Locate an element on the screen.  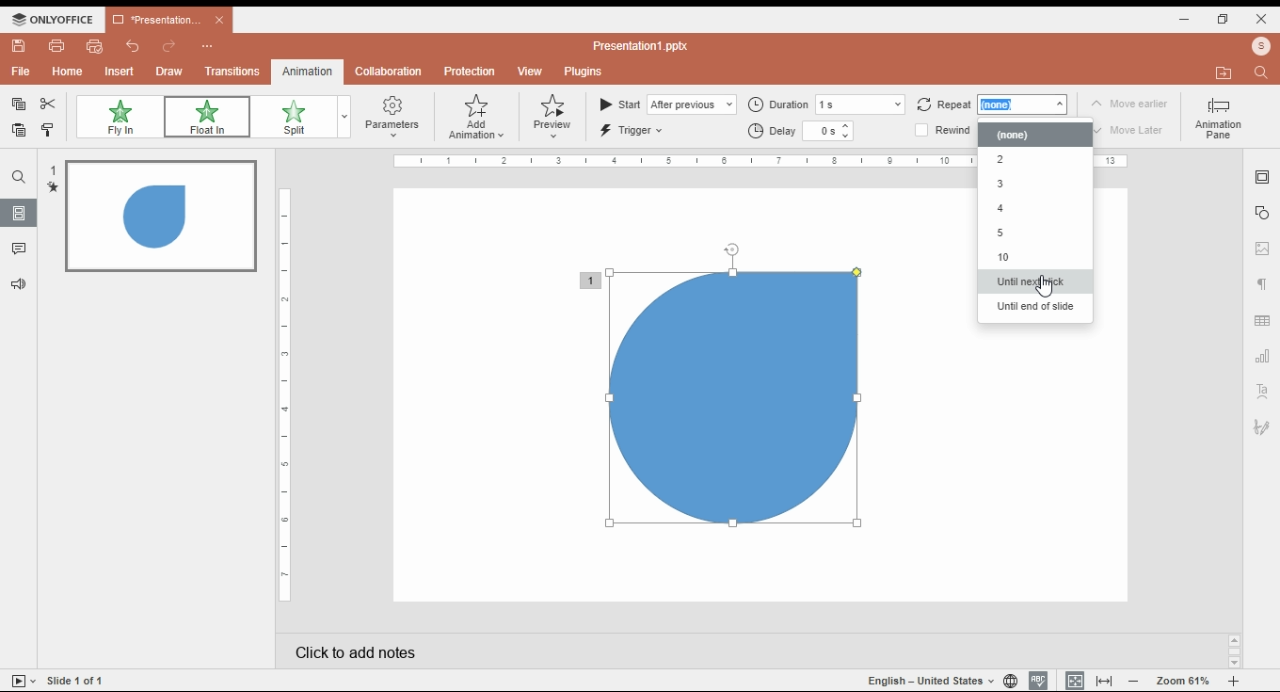
profile is located at coordinates (1222, 72).